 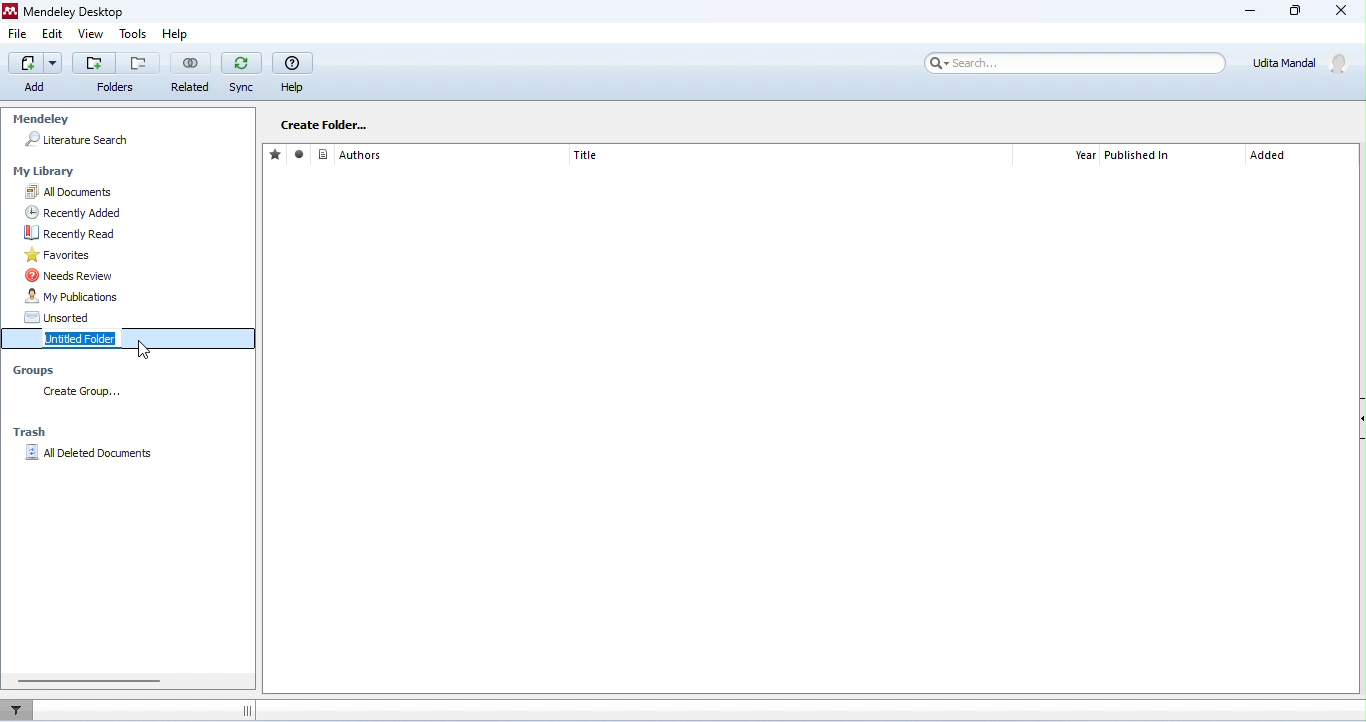 I want to click on sync, so click(x=241, y=73).